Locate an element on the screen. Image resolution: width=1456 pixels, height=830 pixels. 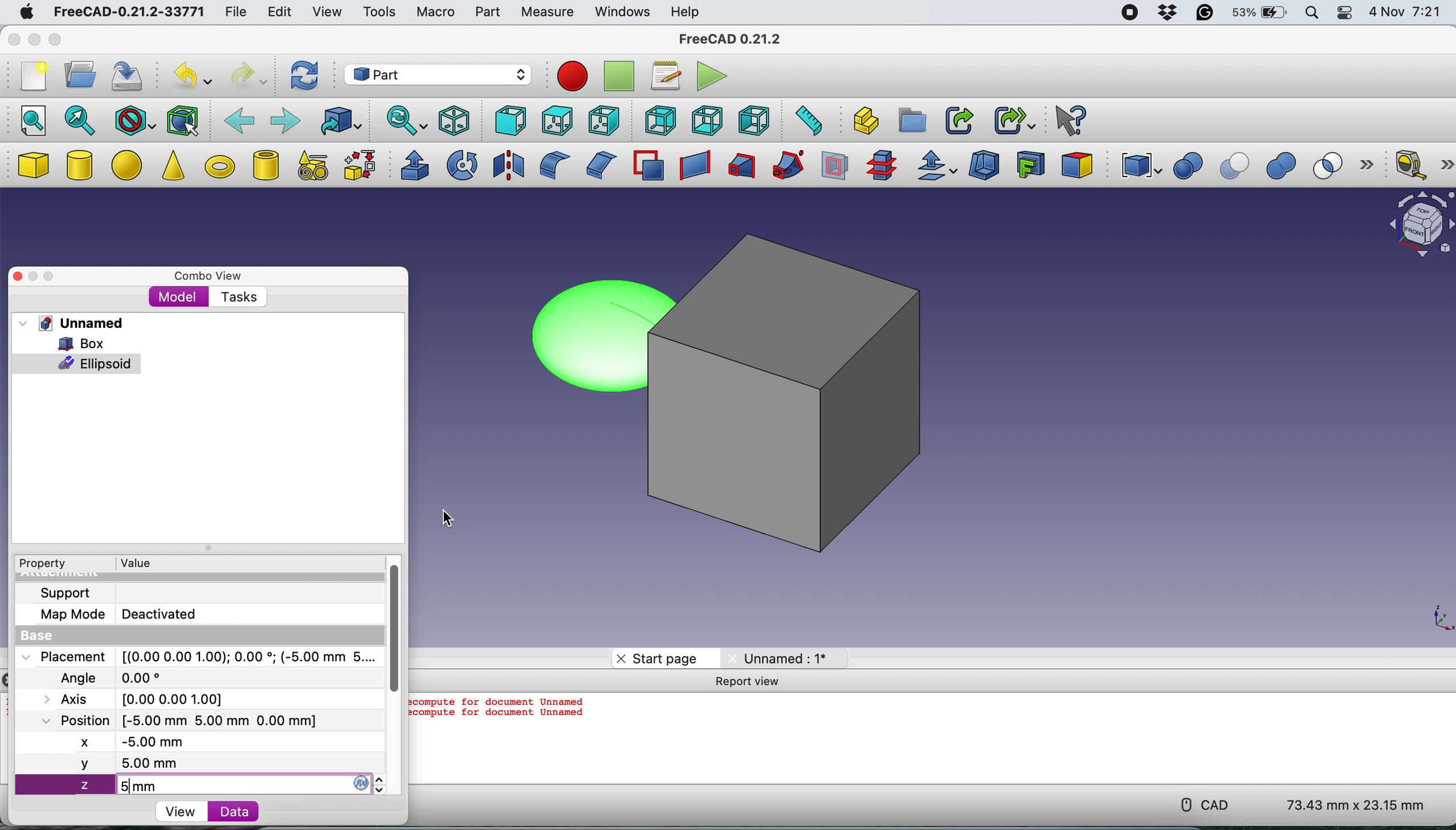
battery is located at coordinates (1258, 14).